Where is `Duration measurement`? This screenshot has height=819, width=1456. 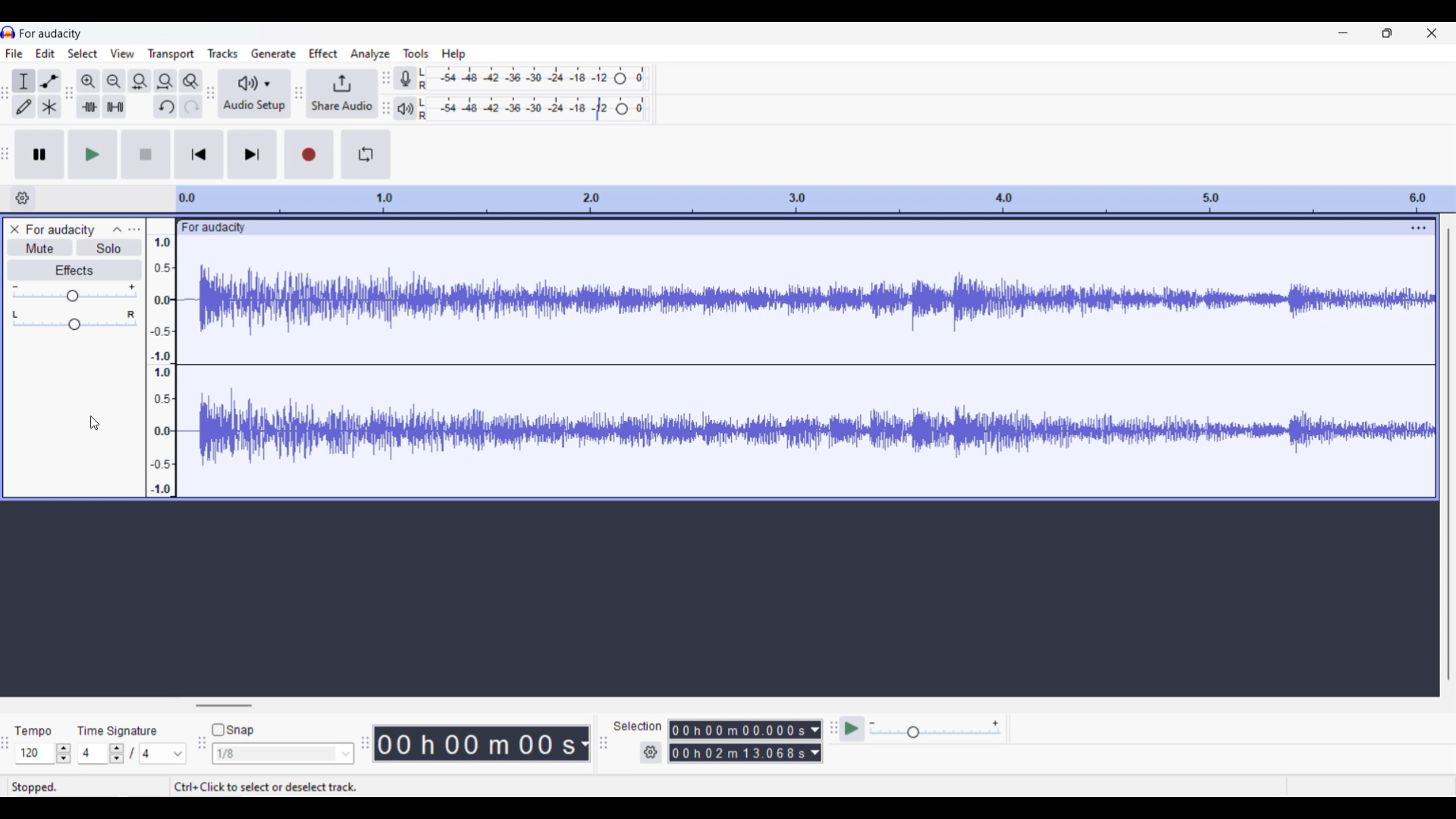
Duration measurement is located at coordinates (815, 741).